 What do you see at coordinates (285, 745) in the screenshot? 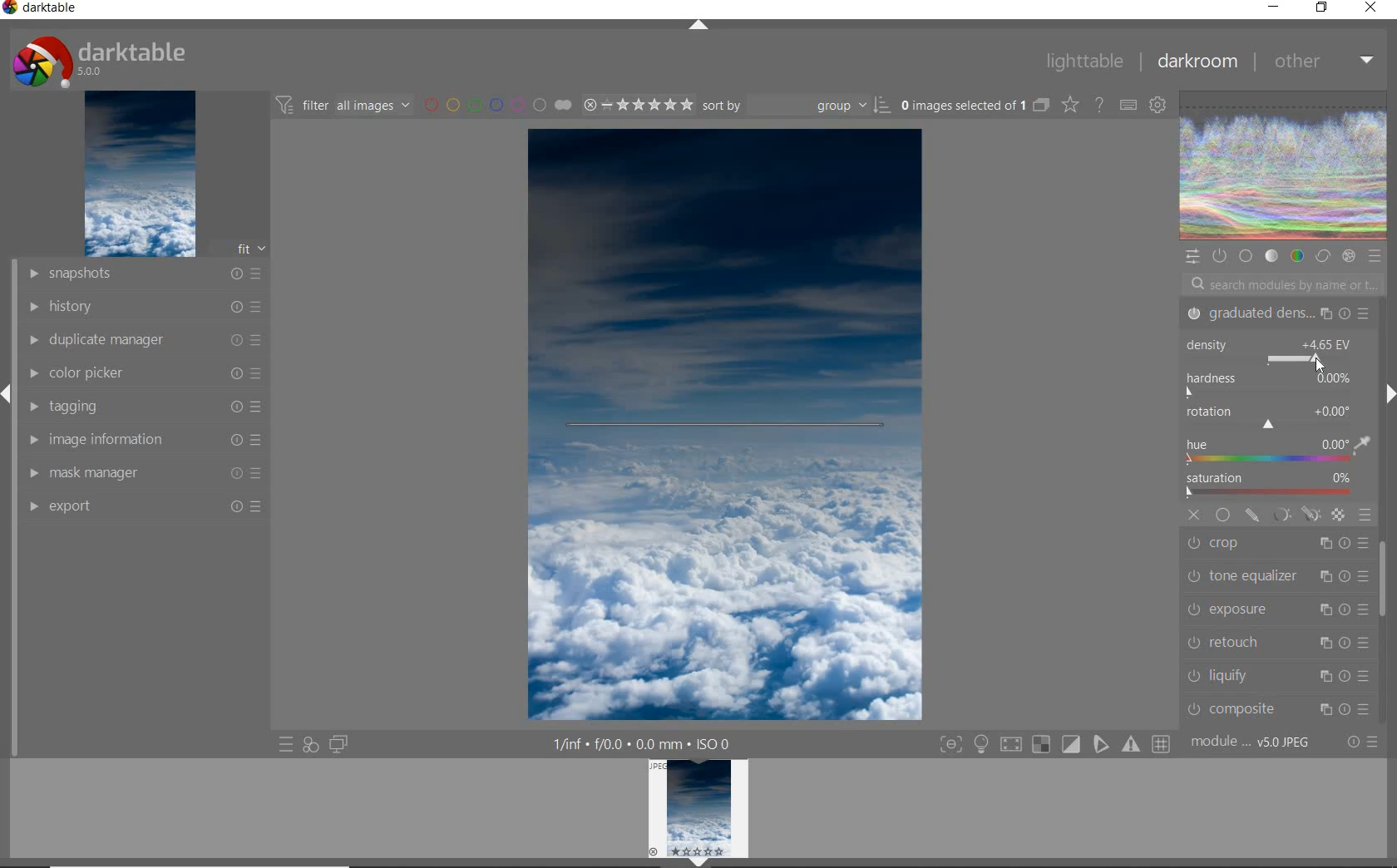
I see `QUICK ACCESS TO PRESET` at bounding box center [285, 745].